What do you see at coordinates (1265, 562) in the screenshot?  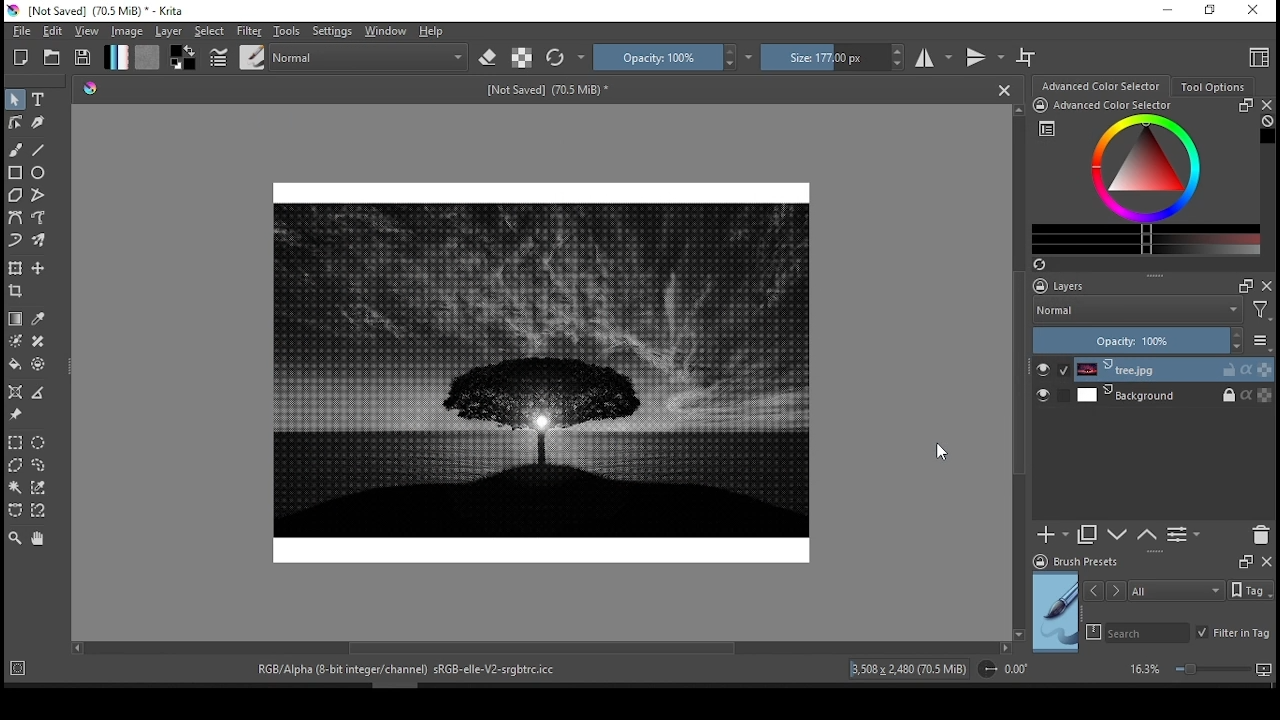 I see `close docker` at bounding box center [1265, 562].